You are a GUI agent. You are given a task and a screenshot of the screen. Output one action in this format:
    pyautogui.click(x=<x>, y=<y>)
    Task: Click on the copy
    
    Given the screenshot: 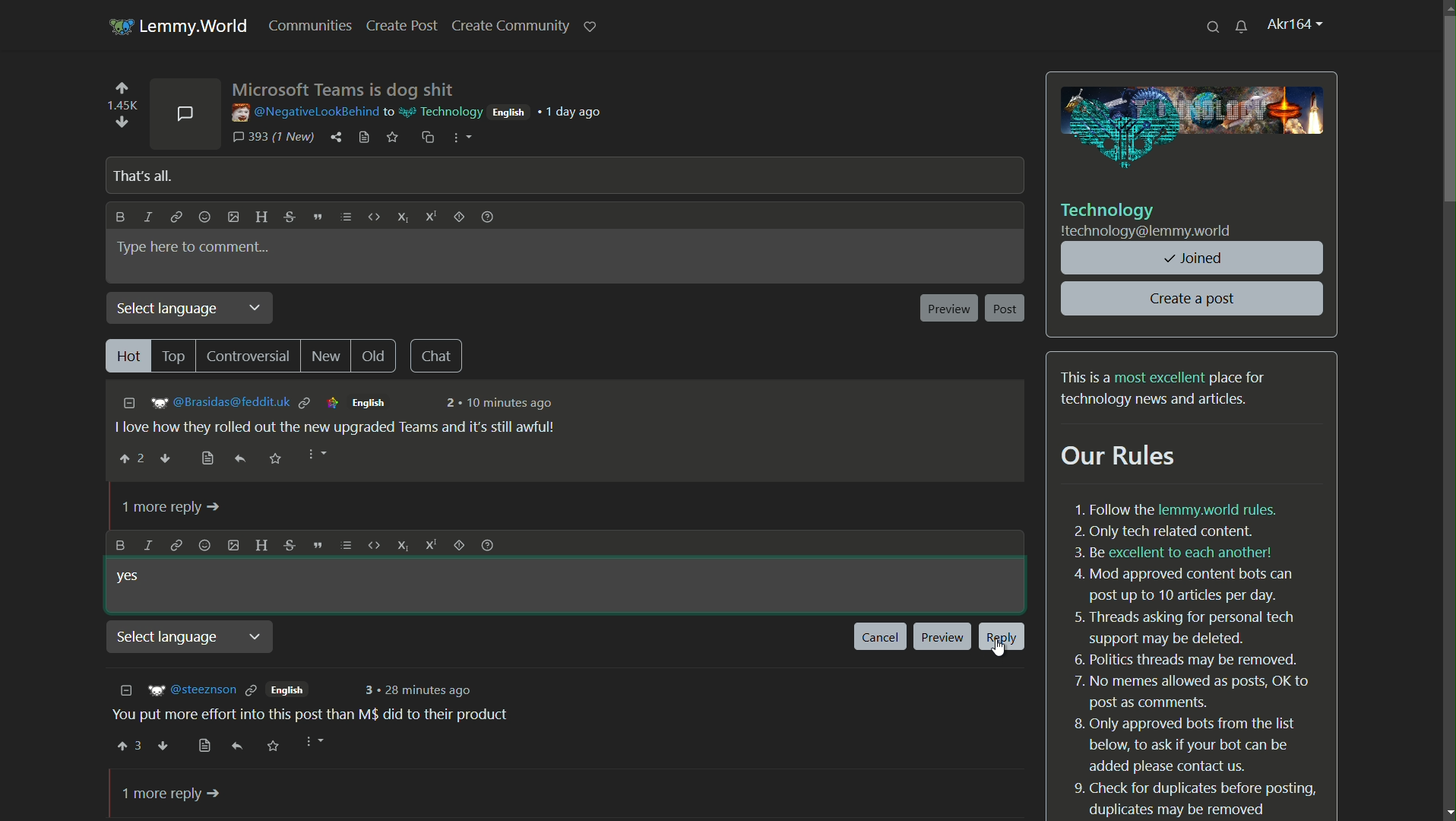 What is the action you would take?
    pyautogui.click(x=426, y=137)
    